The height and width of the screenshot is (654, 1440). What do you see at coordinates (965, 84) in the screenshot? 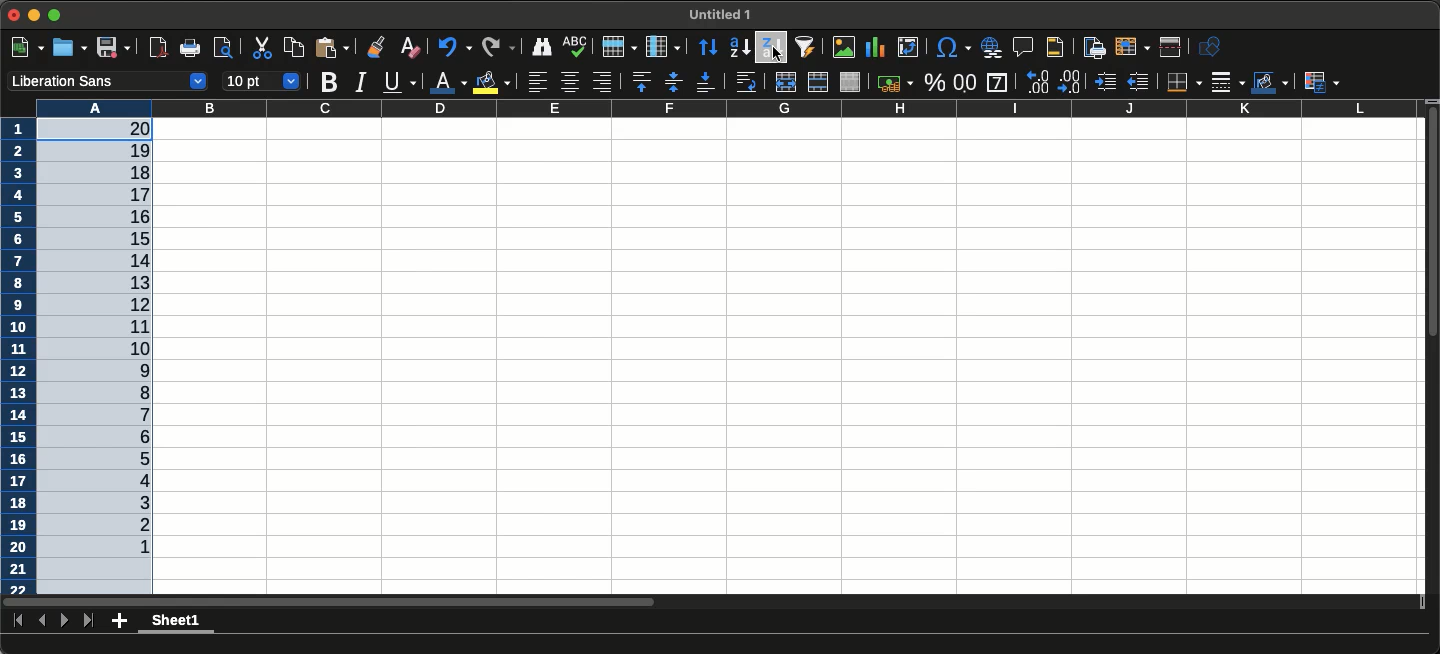
I see `Format as number` at bounding box center [965, 84].